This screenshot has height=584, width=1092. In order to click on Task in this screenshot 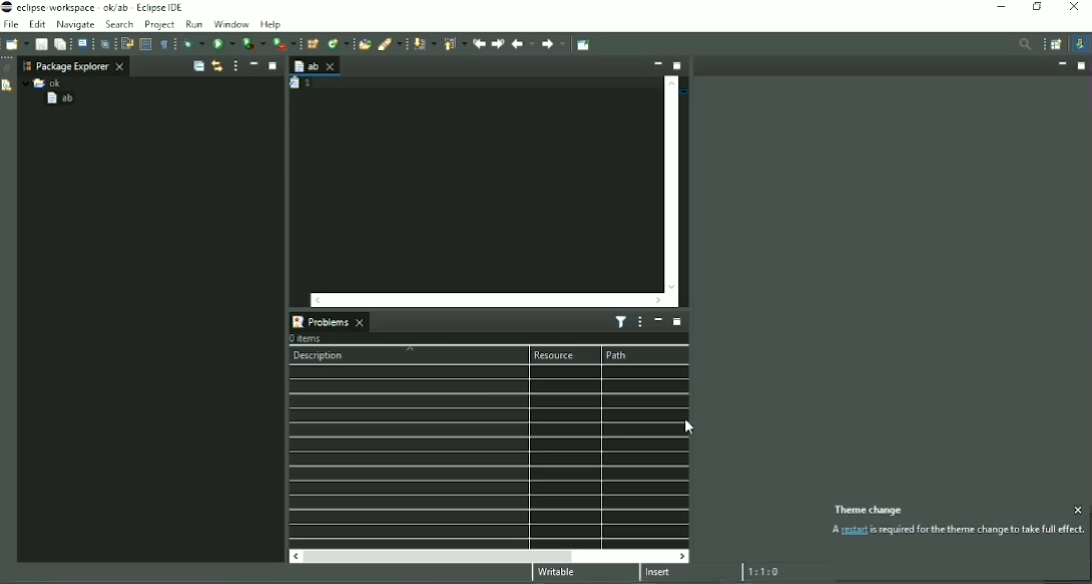, I will do `click(311, 83)`.